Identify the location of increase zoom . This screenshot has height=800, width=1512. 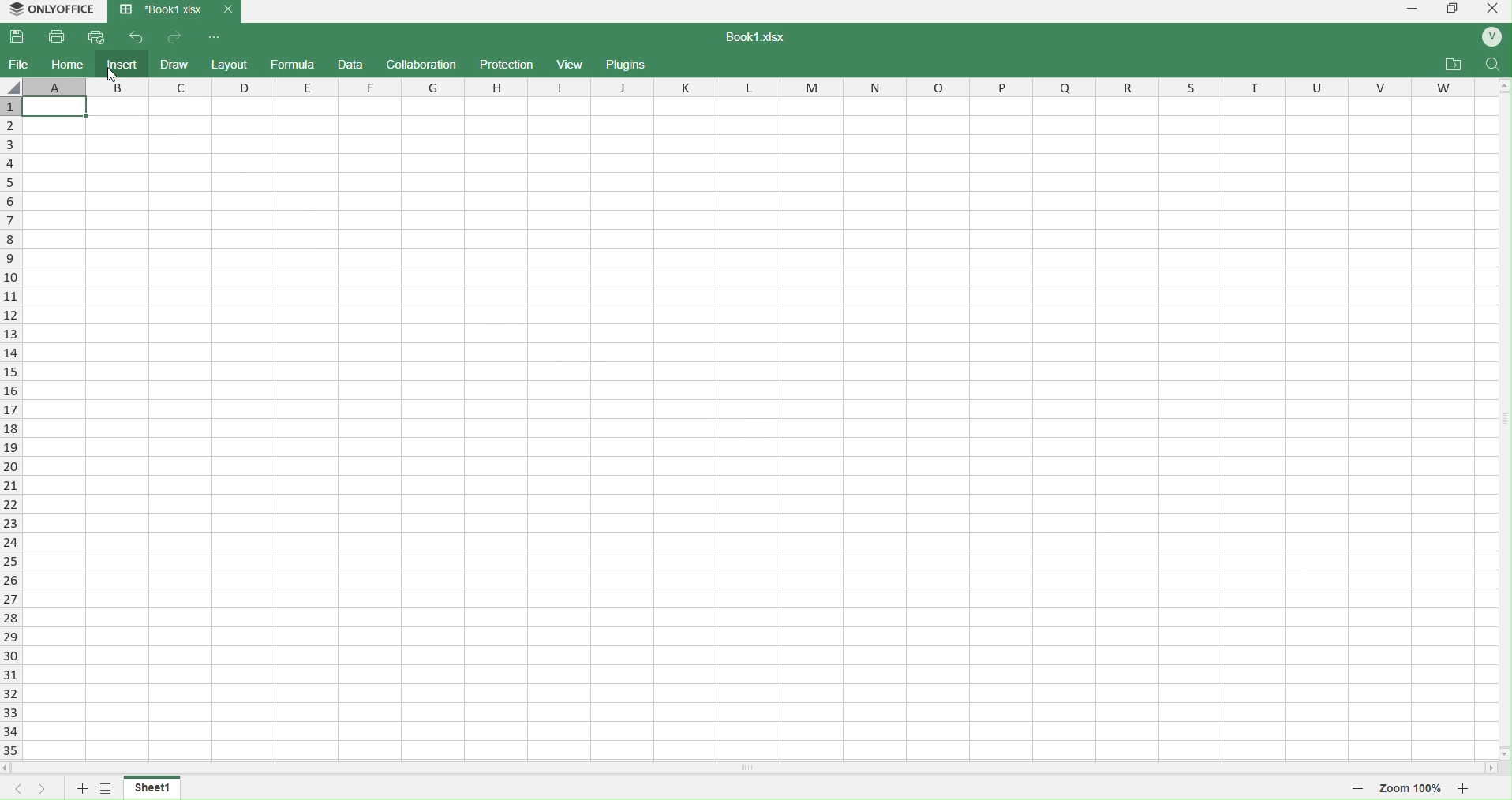
(1466, 787).